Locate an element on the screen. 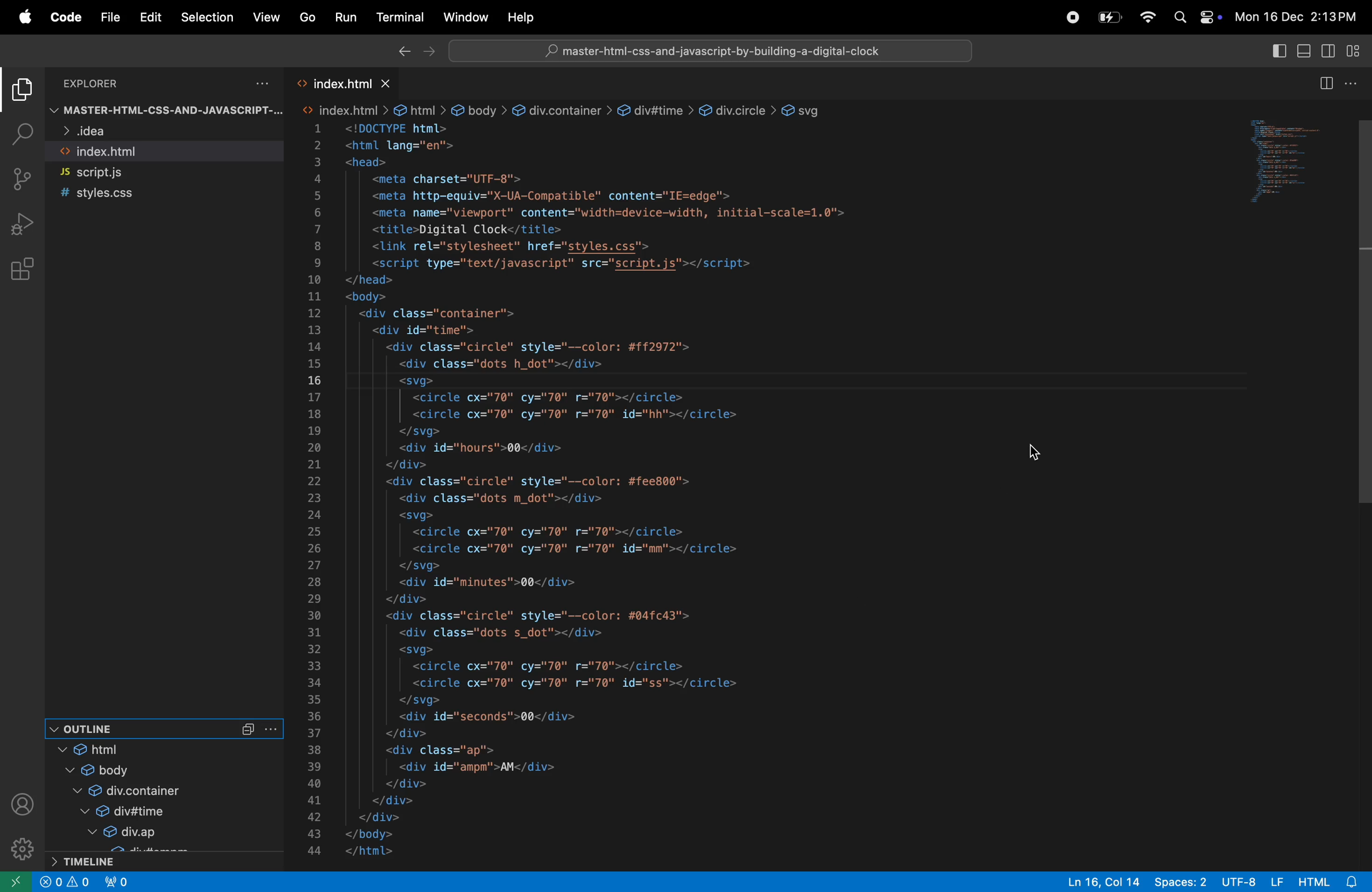 Image resolution: width=1372 pixels, height=892 pixels. toggle panel is located at coordinates (1307, 50).